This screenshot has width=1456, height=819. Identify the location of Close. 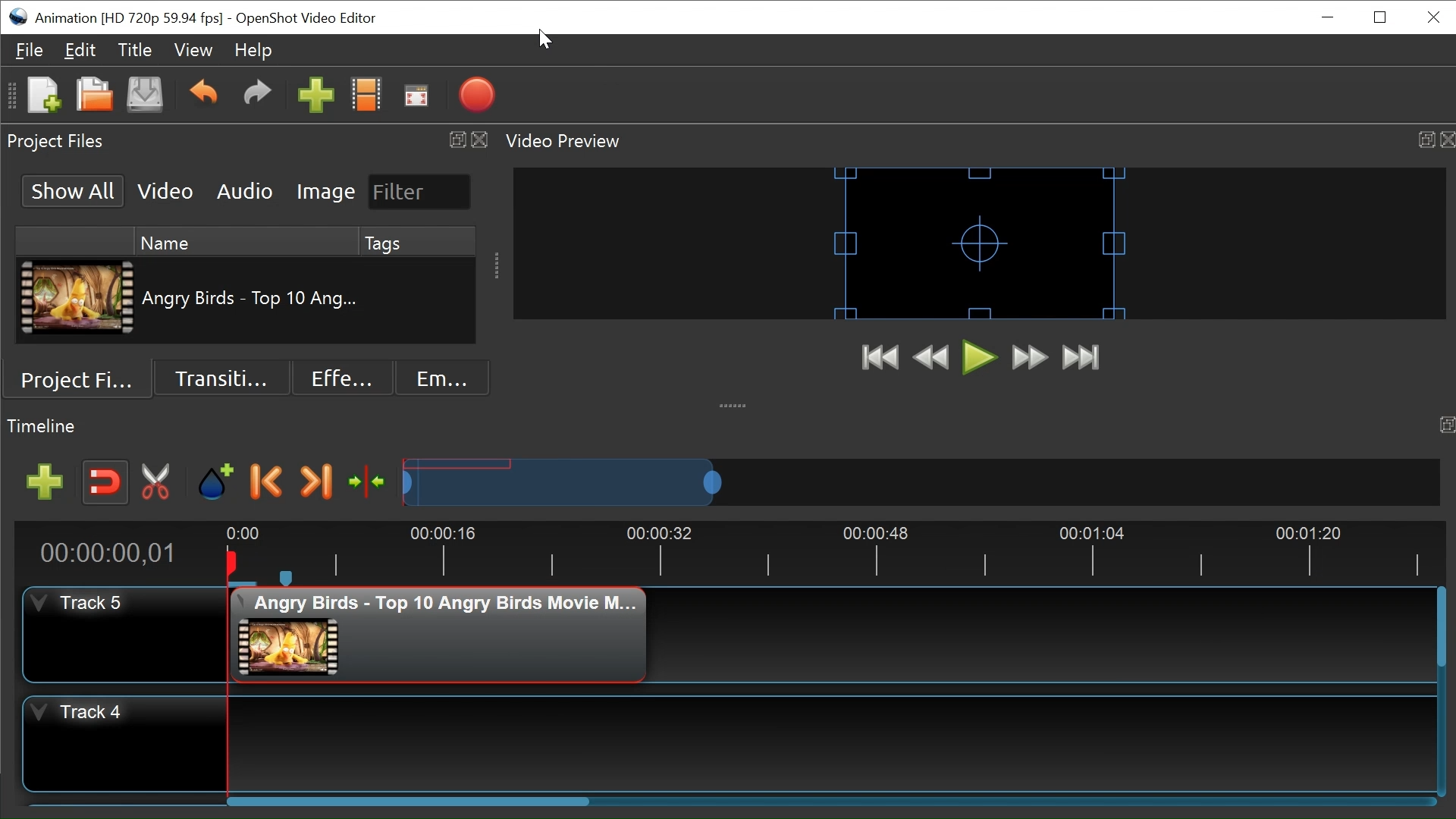
(1432, 16).